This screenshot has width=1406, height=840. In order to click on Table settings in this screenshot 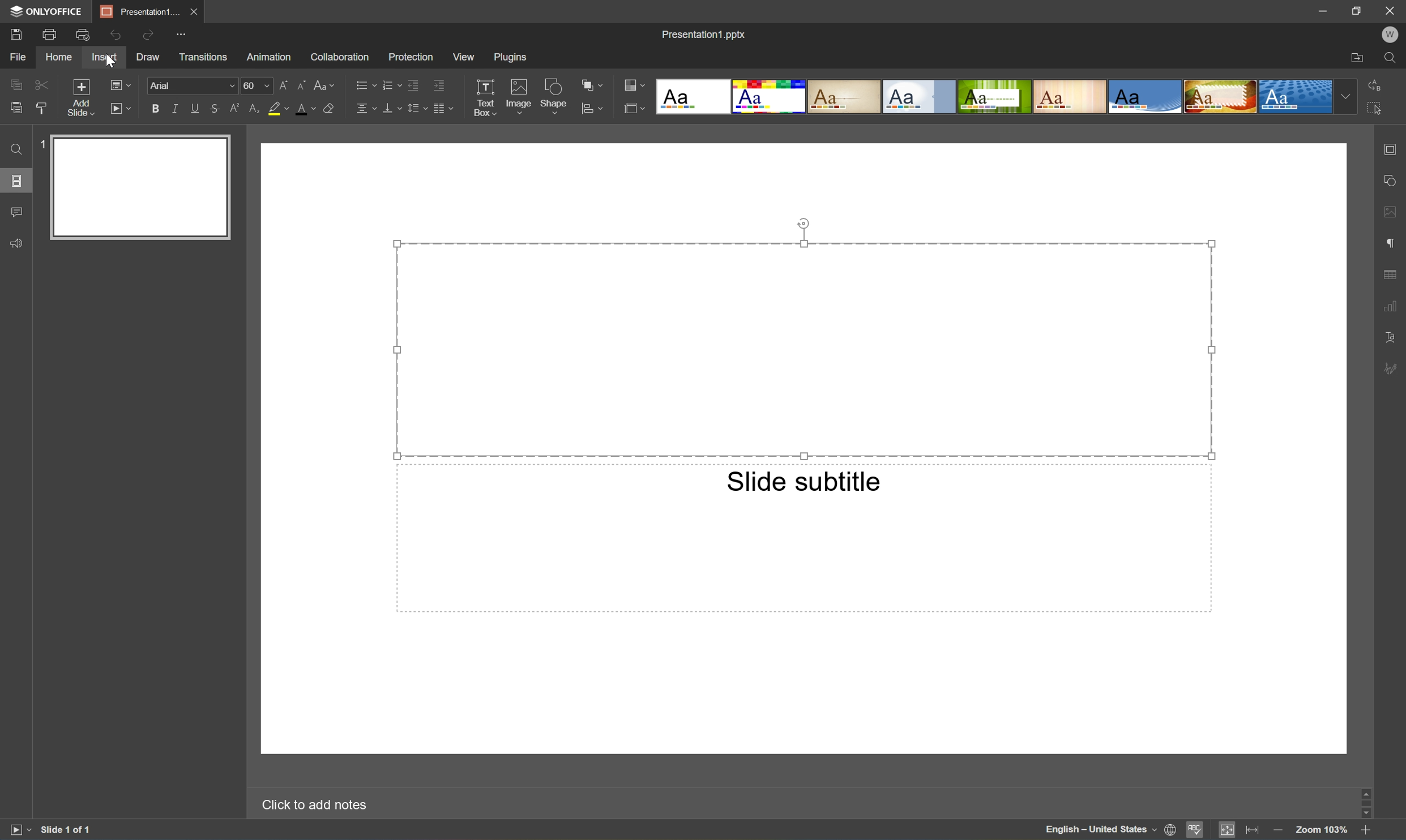, I will do `click(1395, 274)`.